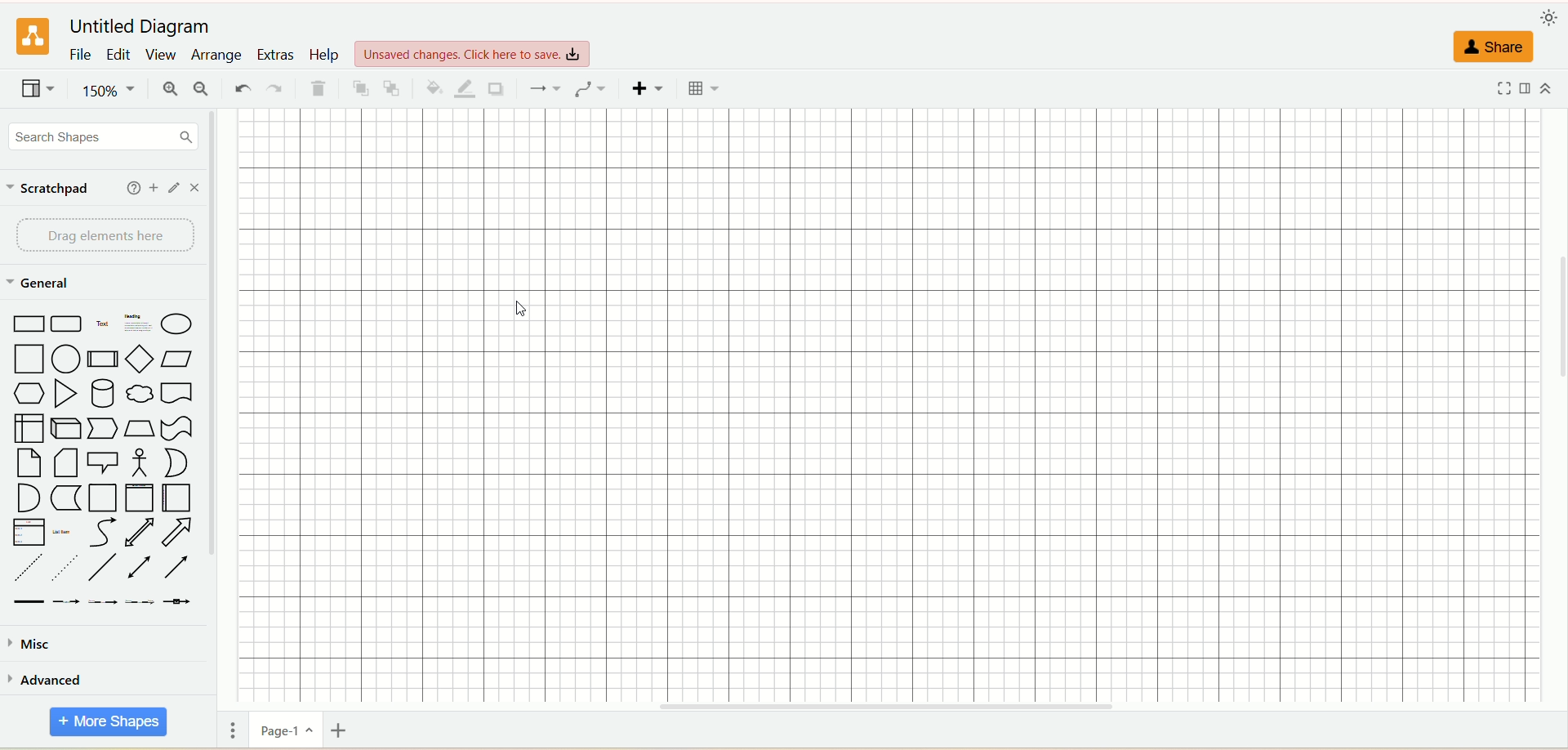  I want to click on text box, so click(136, 324).